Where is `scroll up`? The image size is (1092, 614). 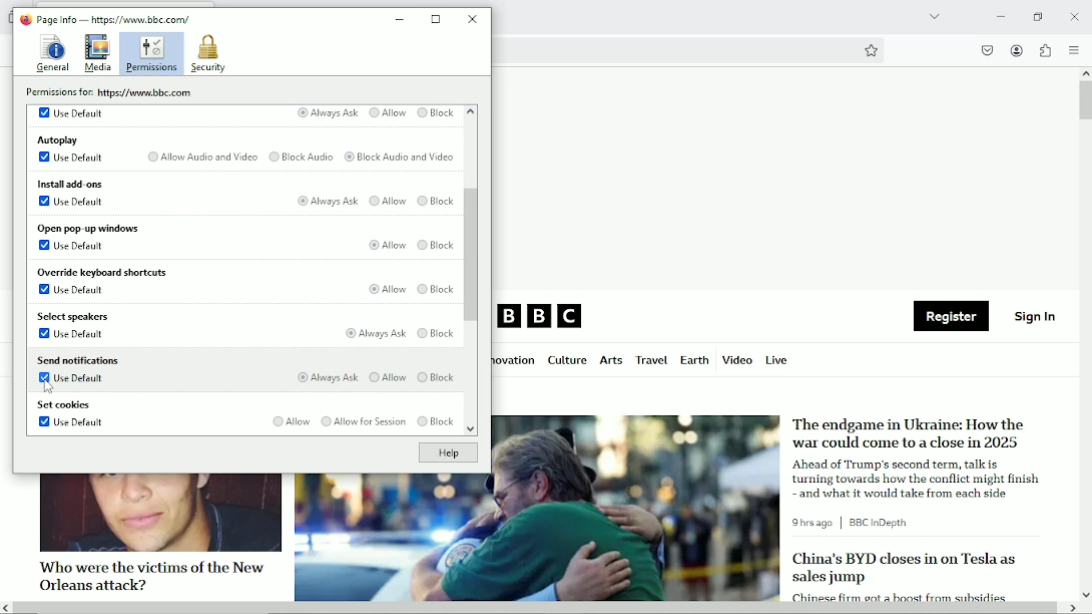 scroll up is located at coordinates (470, 112).